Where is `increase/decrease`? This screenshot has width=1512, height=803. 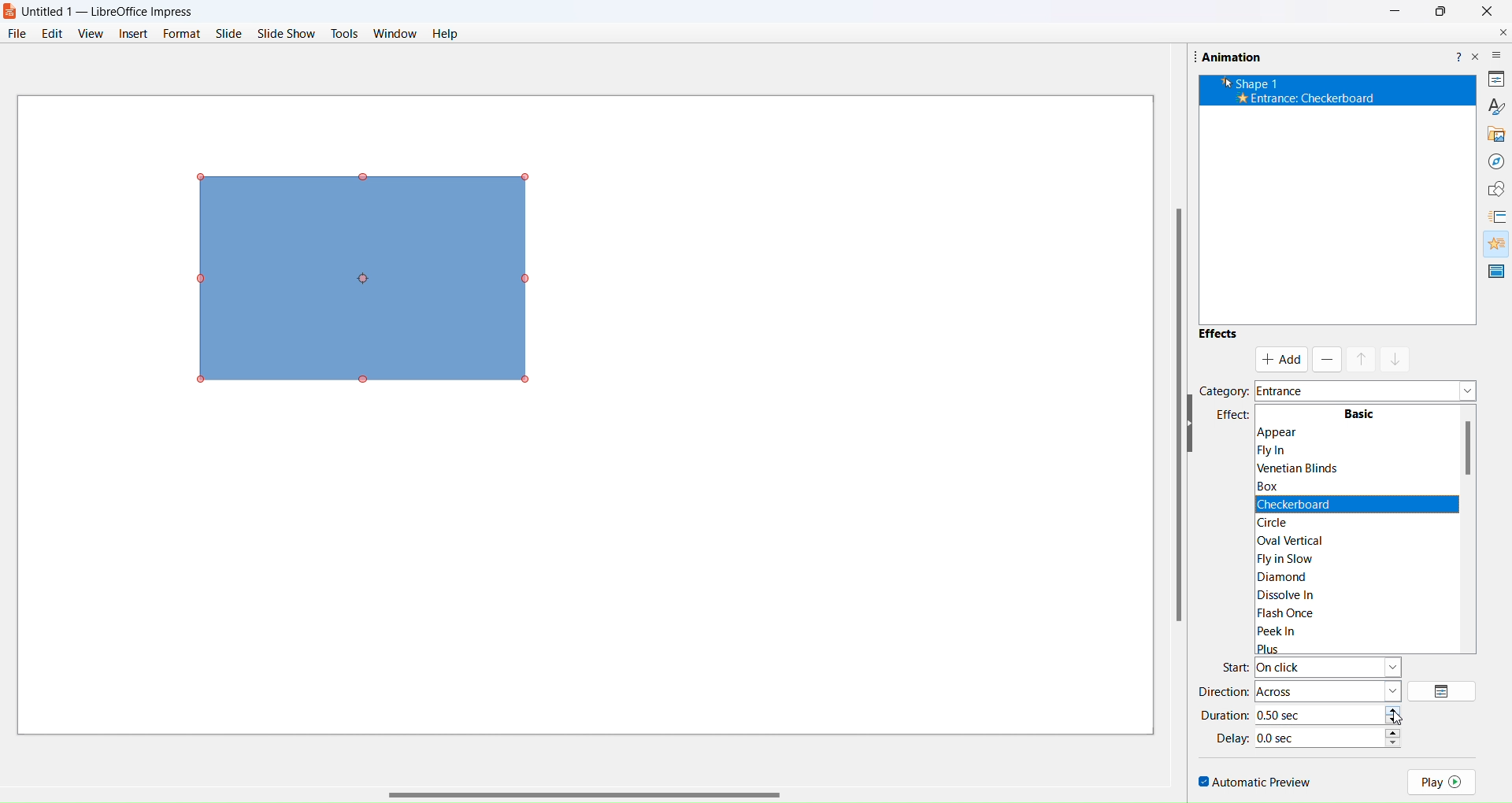 increase/decrease is located at coordinates (1395, 735).